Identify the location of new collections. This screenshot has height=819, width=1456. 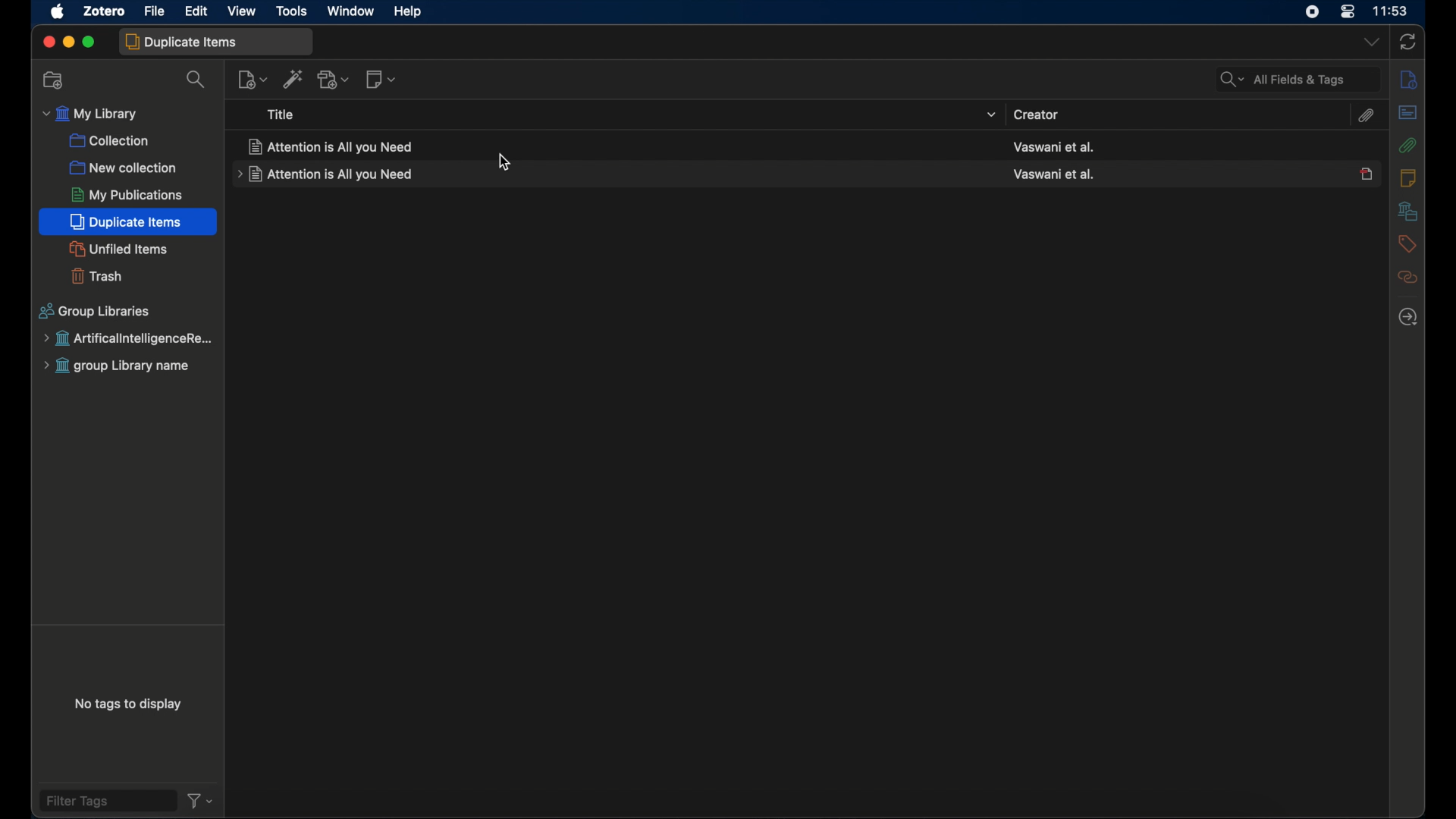
(124, 167).